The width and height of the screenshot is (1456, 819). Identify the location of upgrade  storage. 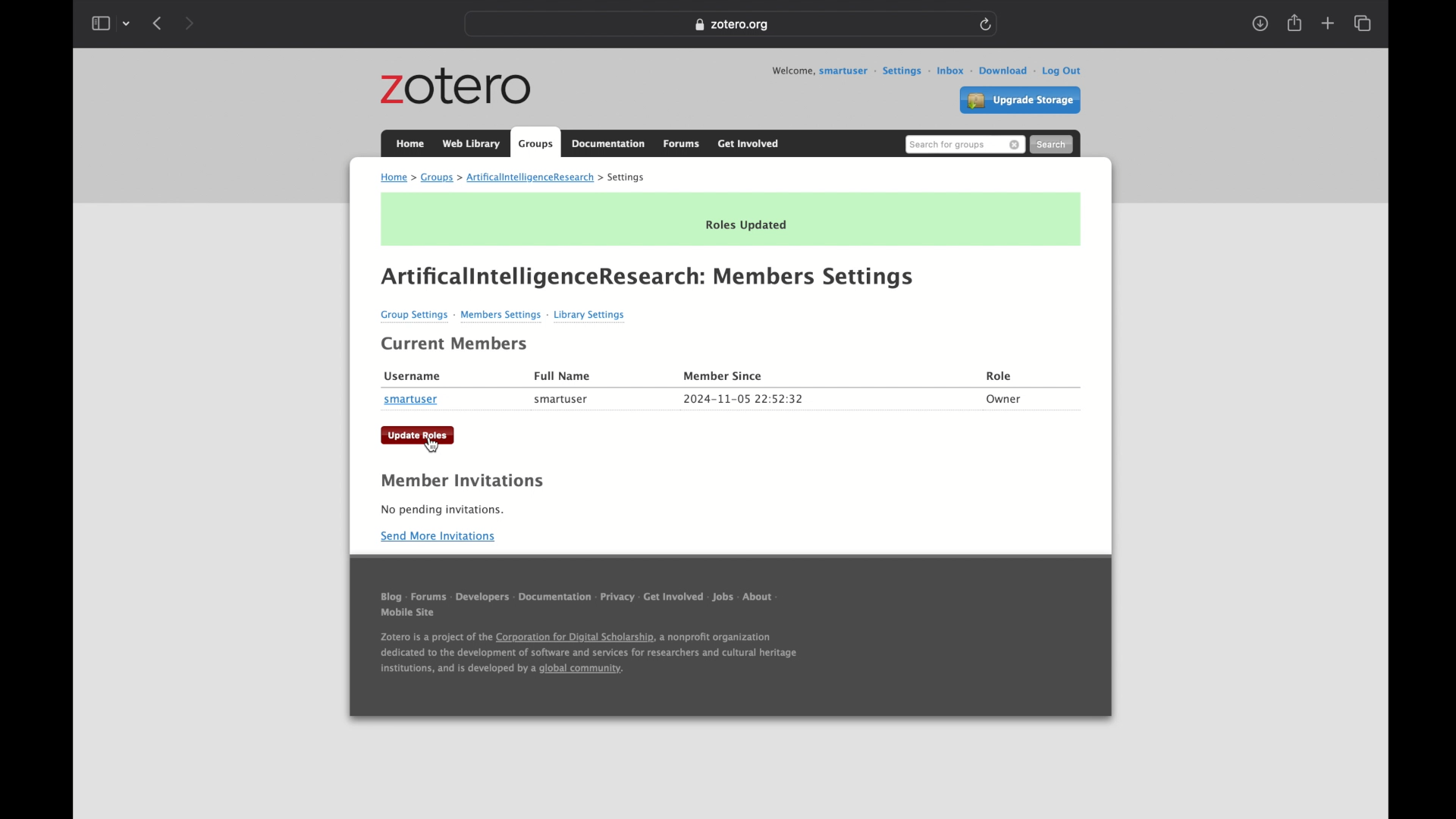
(1020, 101).